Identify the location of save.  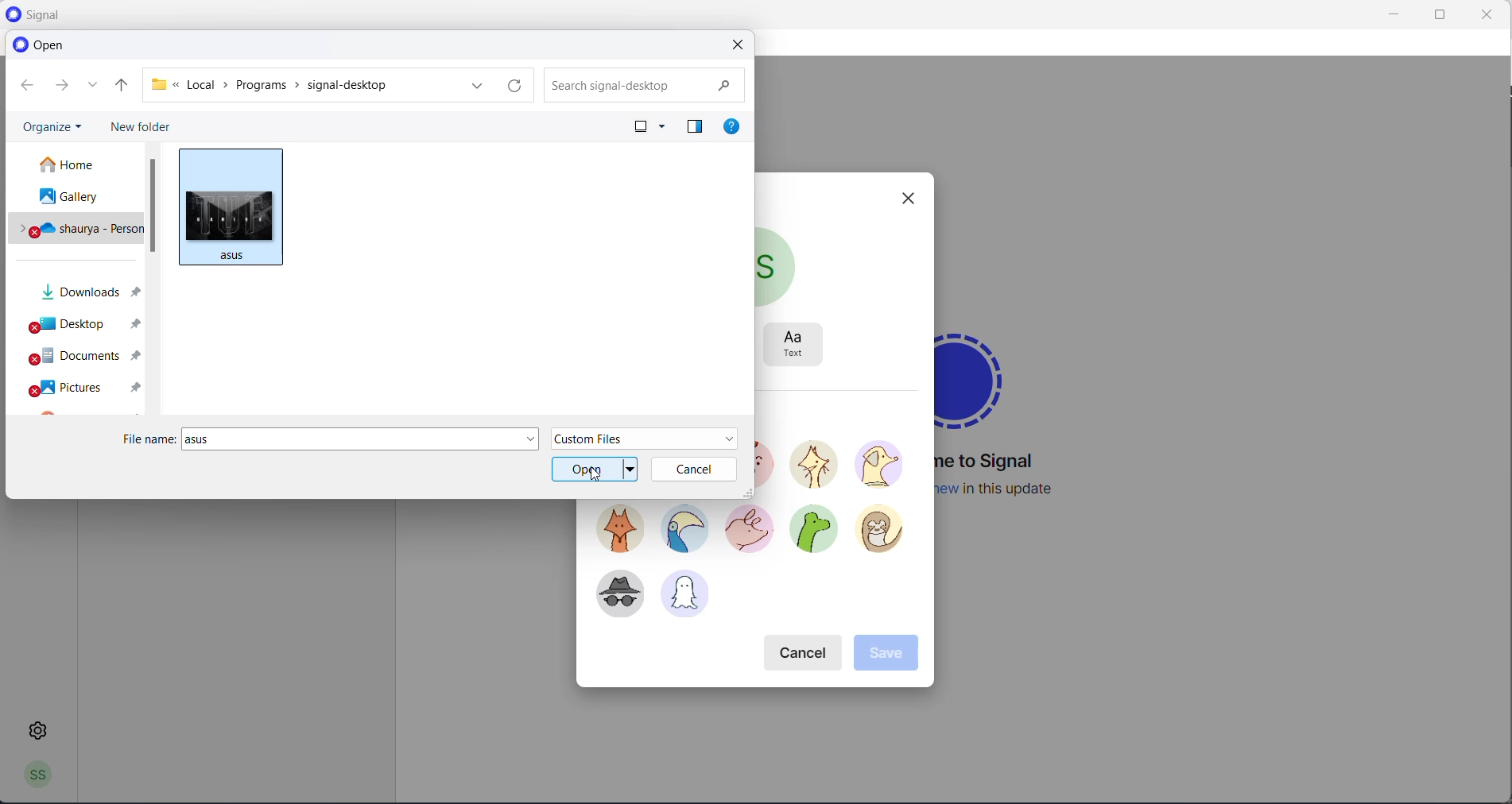
(888, 654).